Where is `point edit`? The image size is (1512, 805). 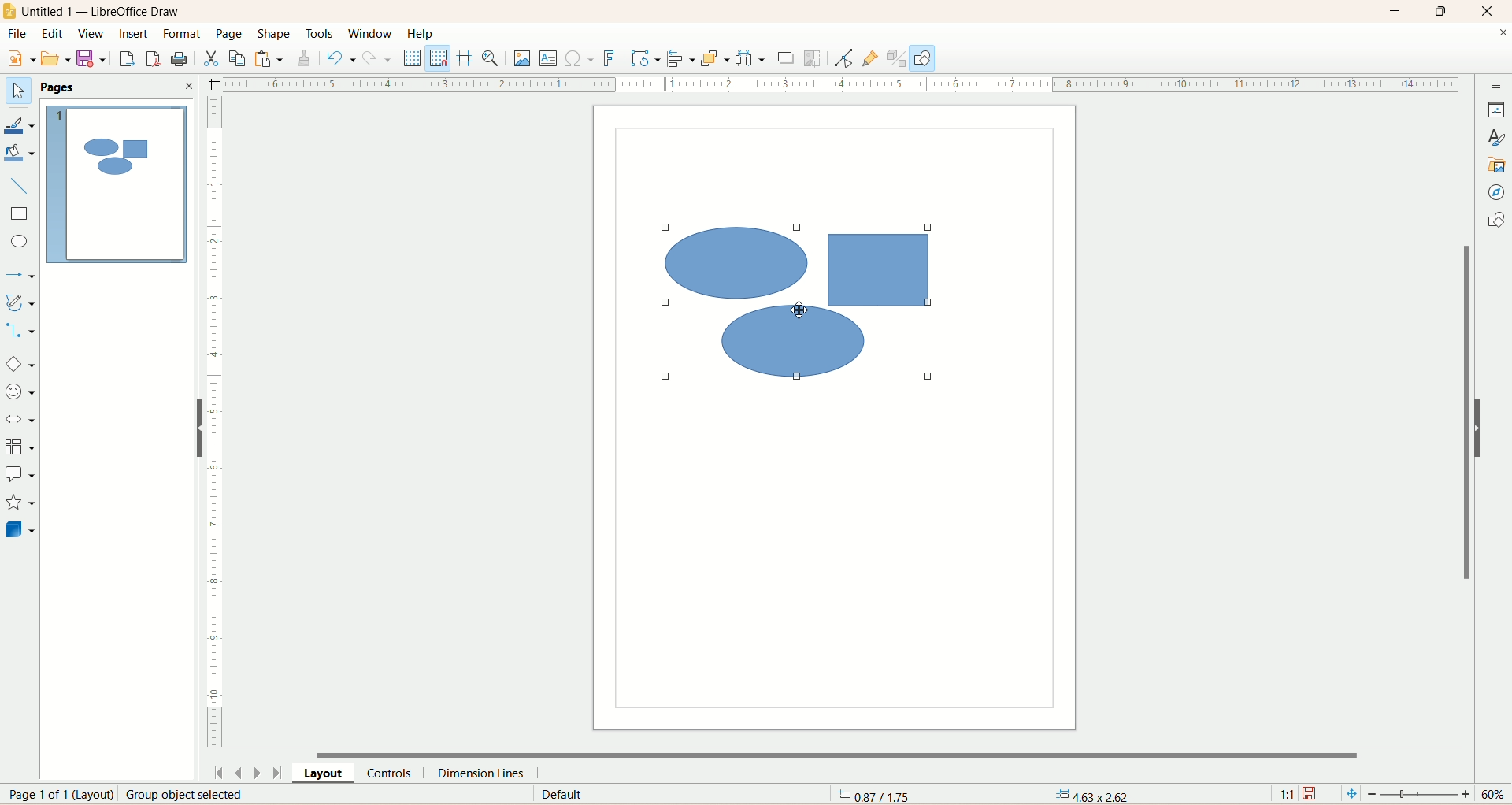 point edit is located at coordinates (841, 58).